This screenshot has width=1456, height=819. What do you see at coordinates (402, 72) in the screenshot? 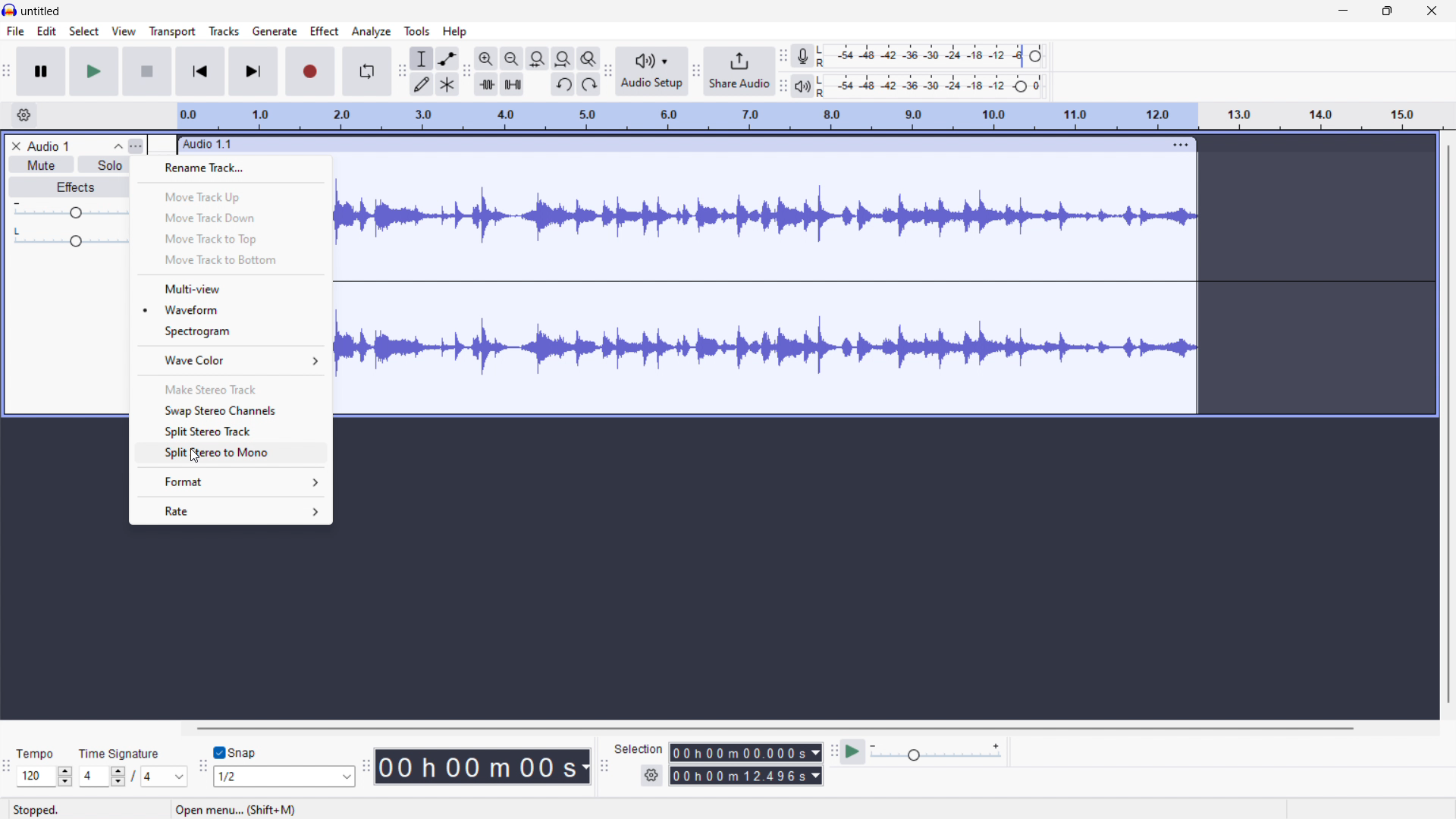
I see `tools toolbar` at bounding box center [402, 72].